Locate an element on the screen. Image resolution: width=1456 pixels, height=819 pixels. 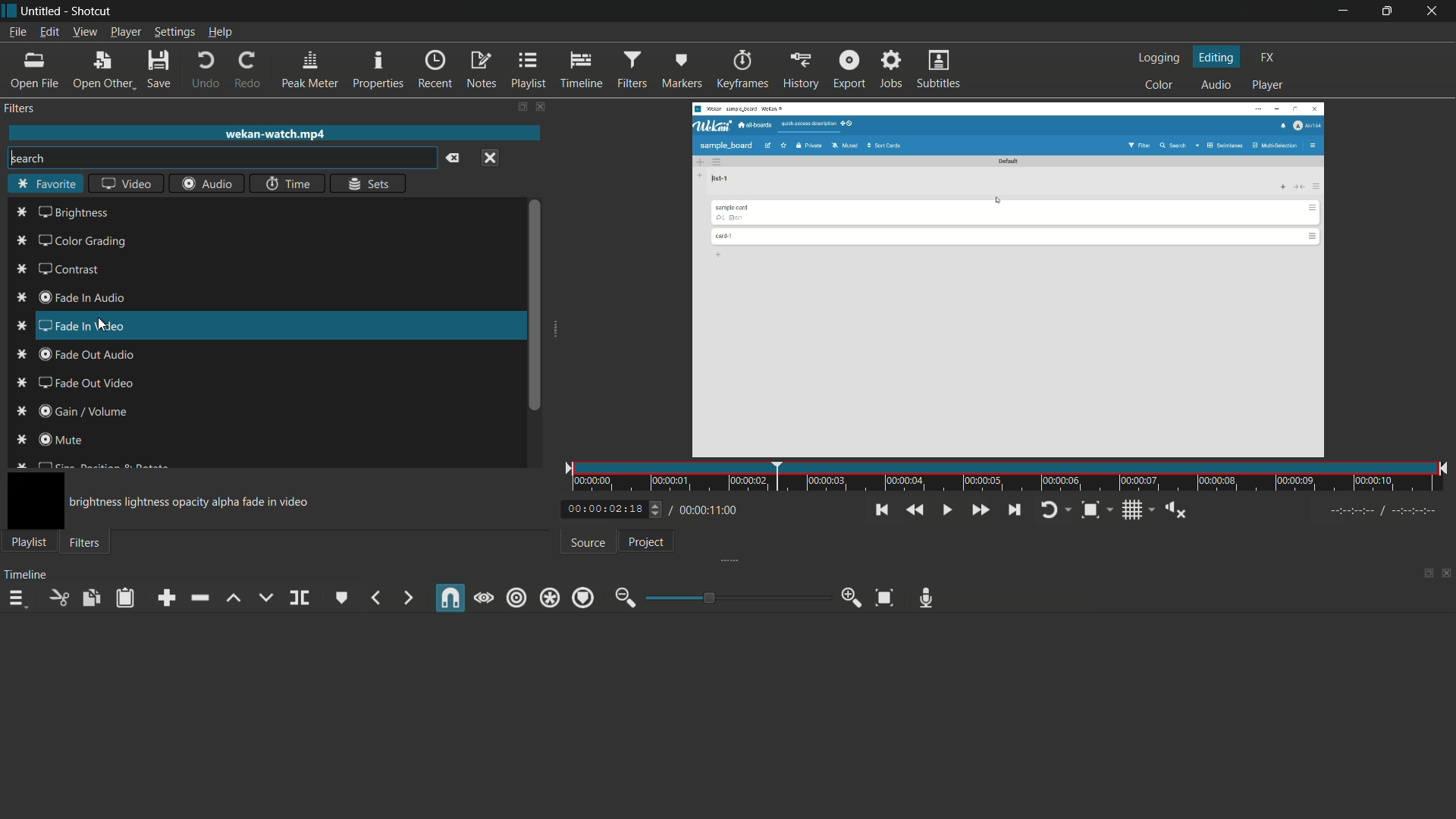
change layout is located at coordinates (519, 107).